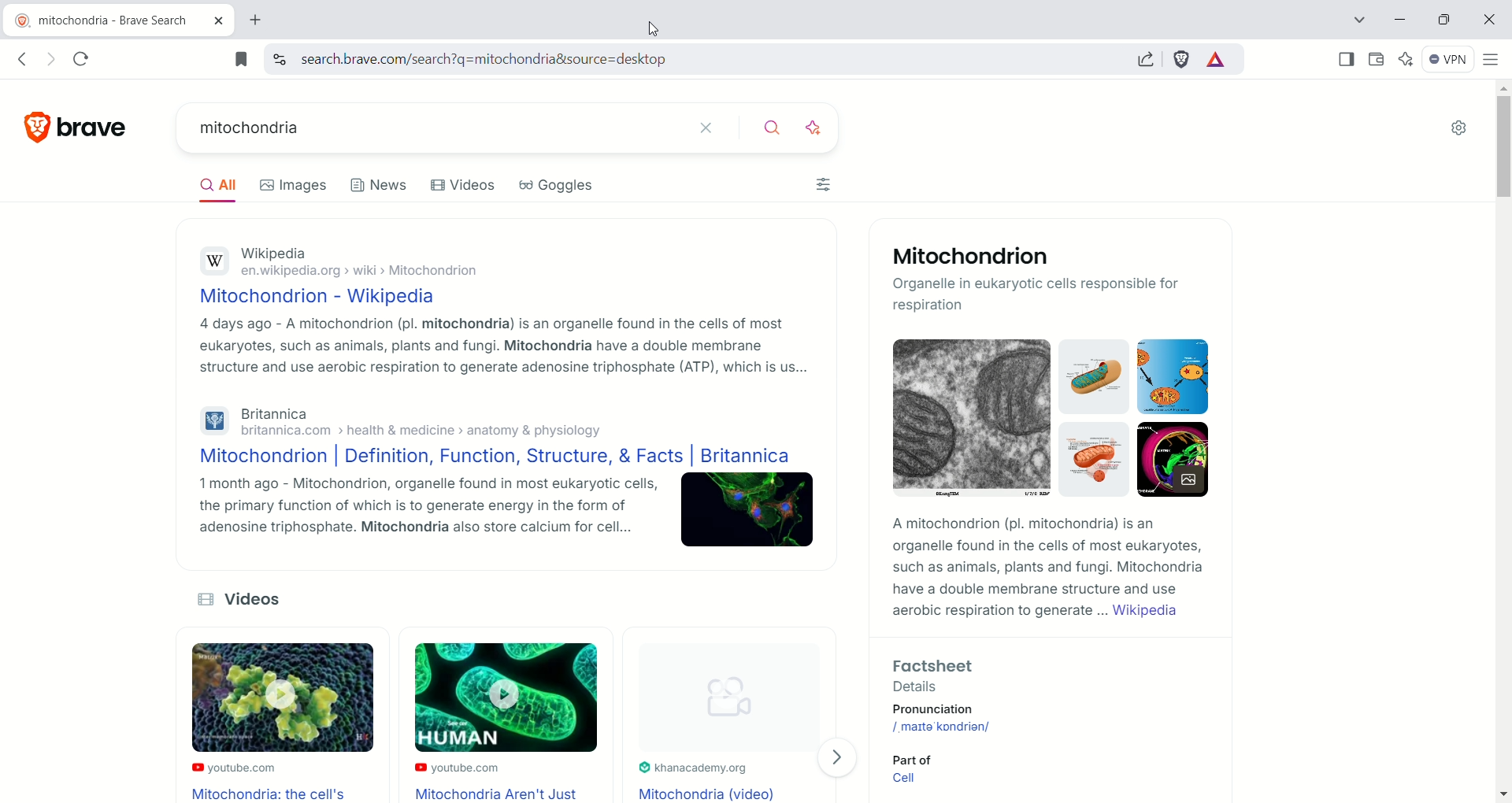 This screenshot has height=803, width=1512. Describe the element at coordinates (503, 794) in the screenshot. I see `Mitochondria Aren't Just` at that location.